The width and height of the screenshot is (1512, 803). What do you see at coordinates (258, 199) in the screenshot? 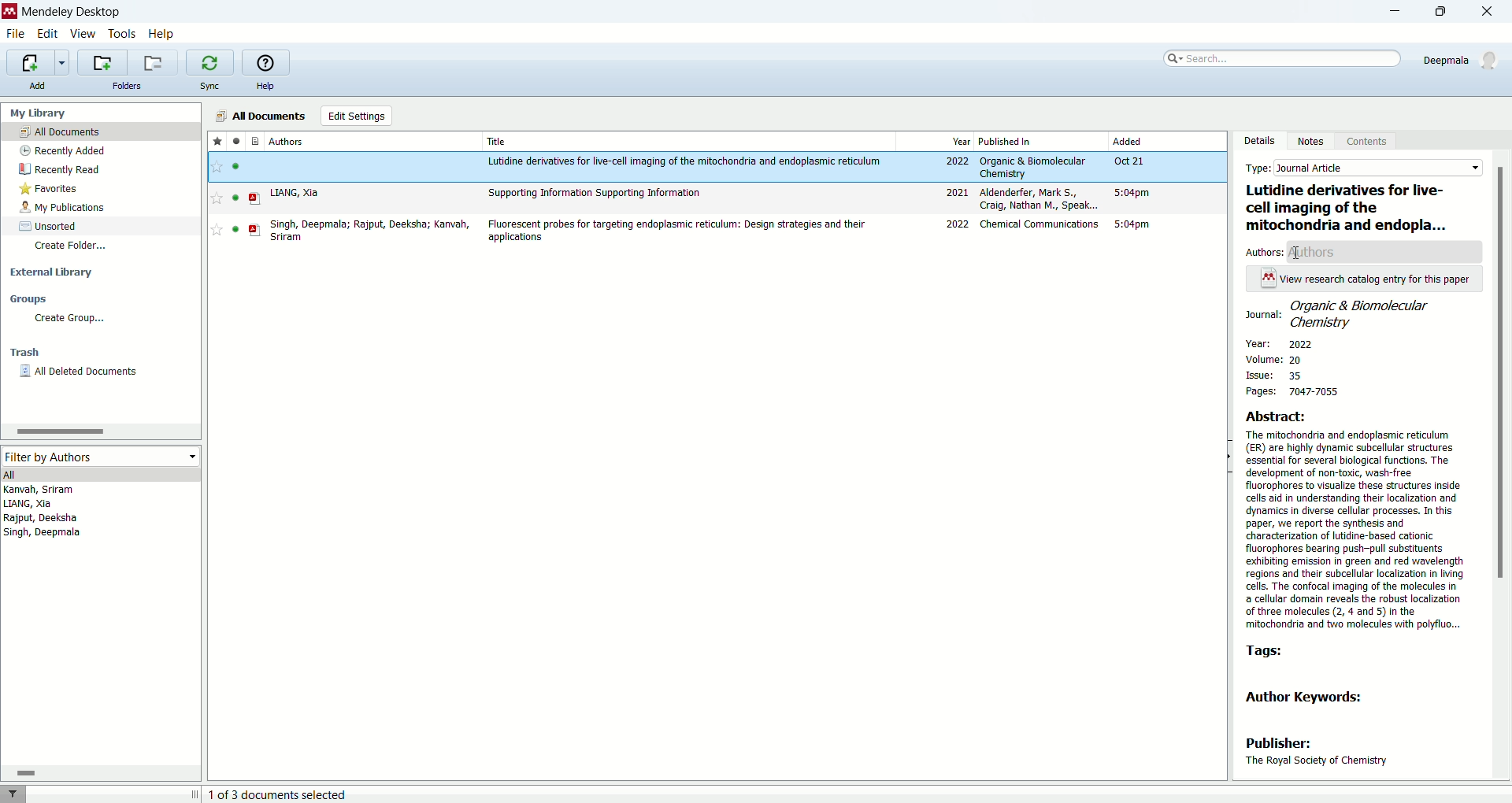
I see `PDF` at bounding box center [258, 199].